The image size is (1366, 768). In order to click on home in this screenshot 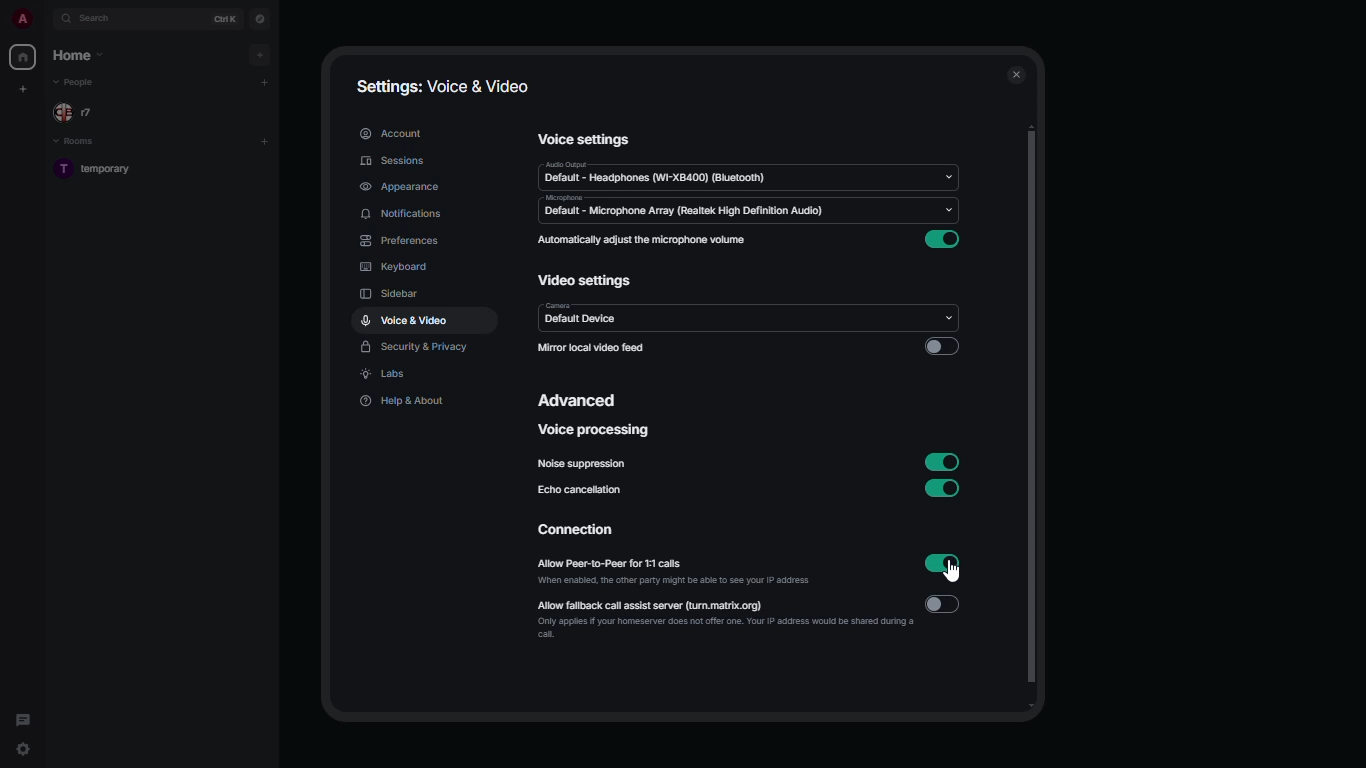, I will do `click(78, 55)`.